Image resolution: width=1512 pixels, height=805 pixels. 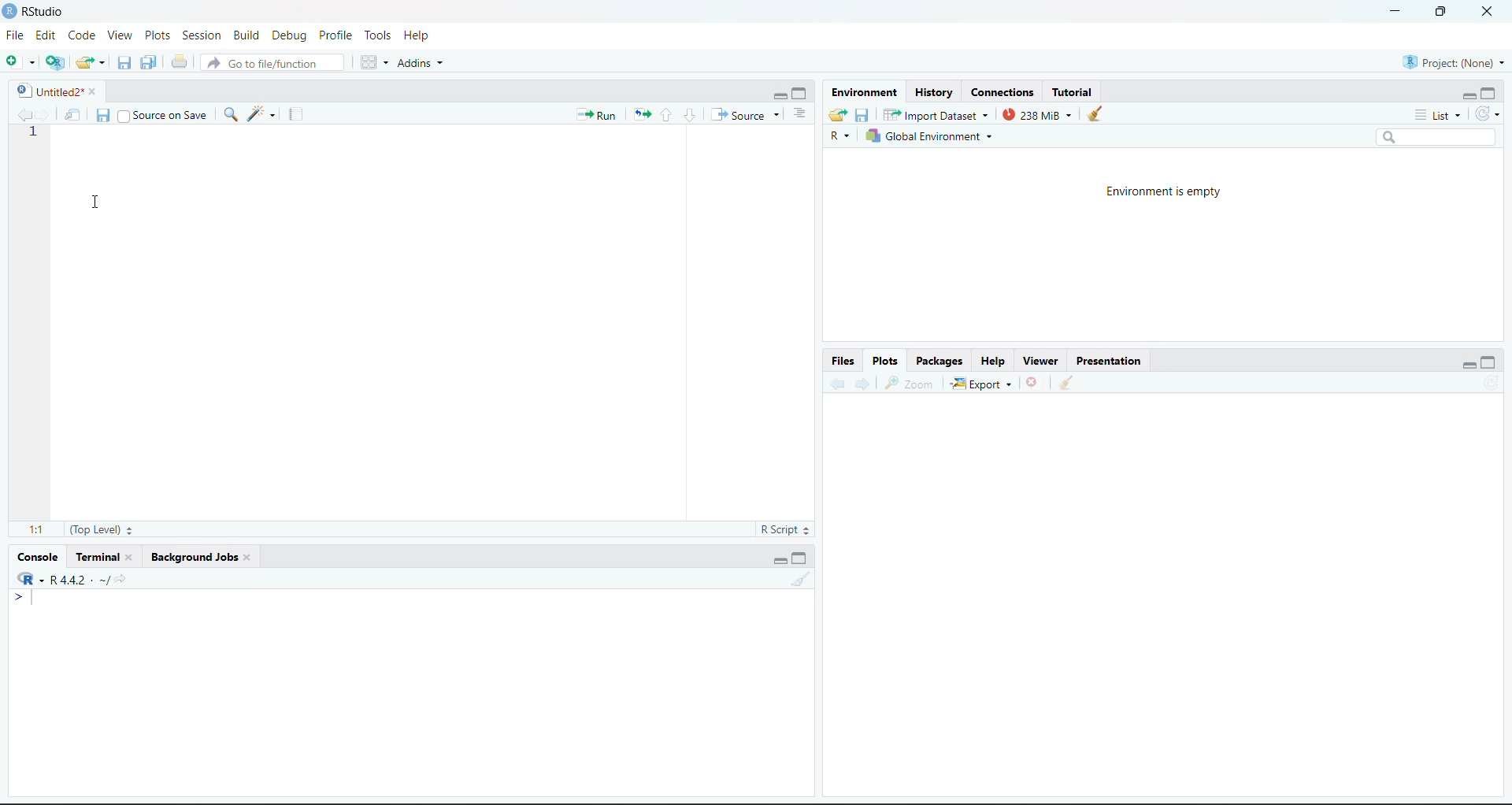 I want to click on refresh, so click(x=1487, y=114).